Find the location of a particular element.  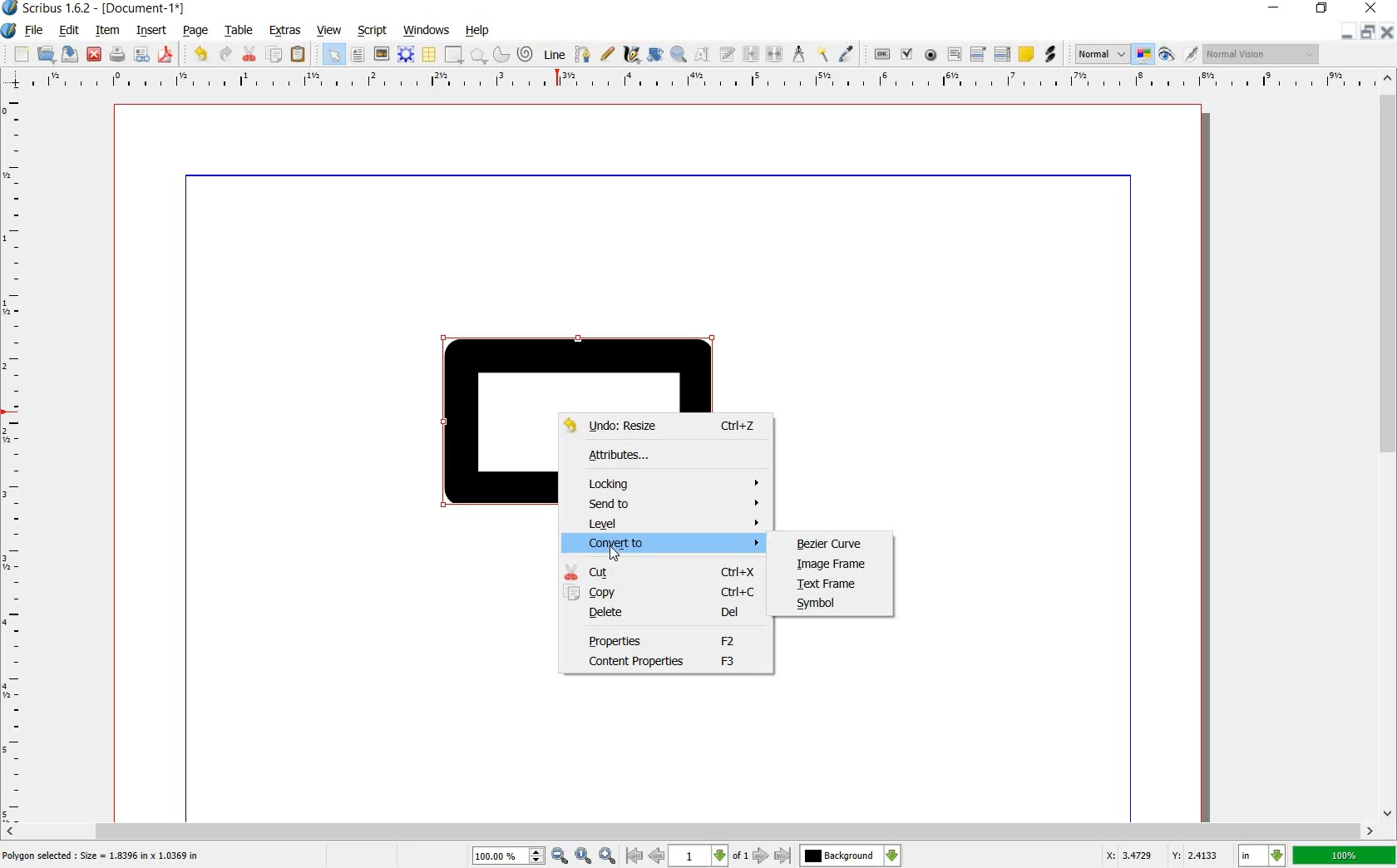

select all is located at coordinates (333, 55).